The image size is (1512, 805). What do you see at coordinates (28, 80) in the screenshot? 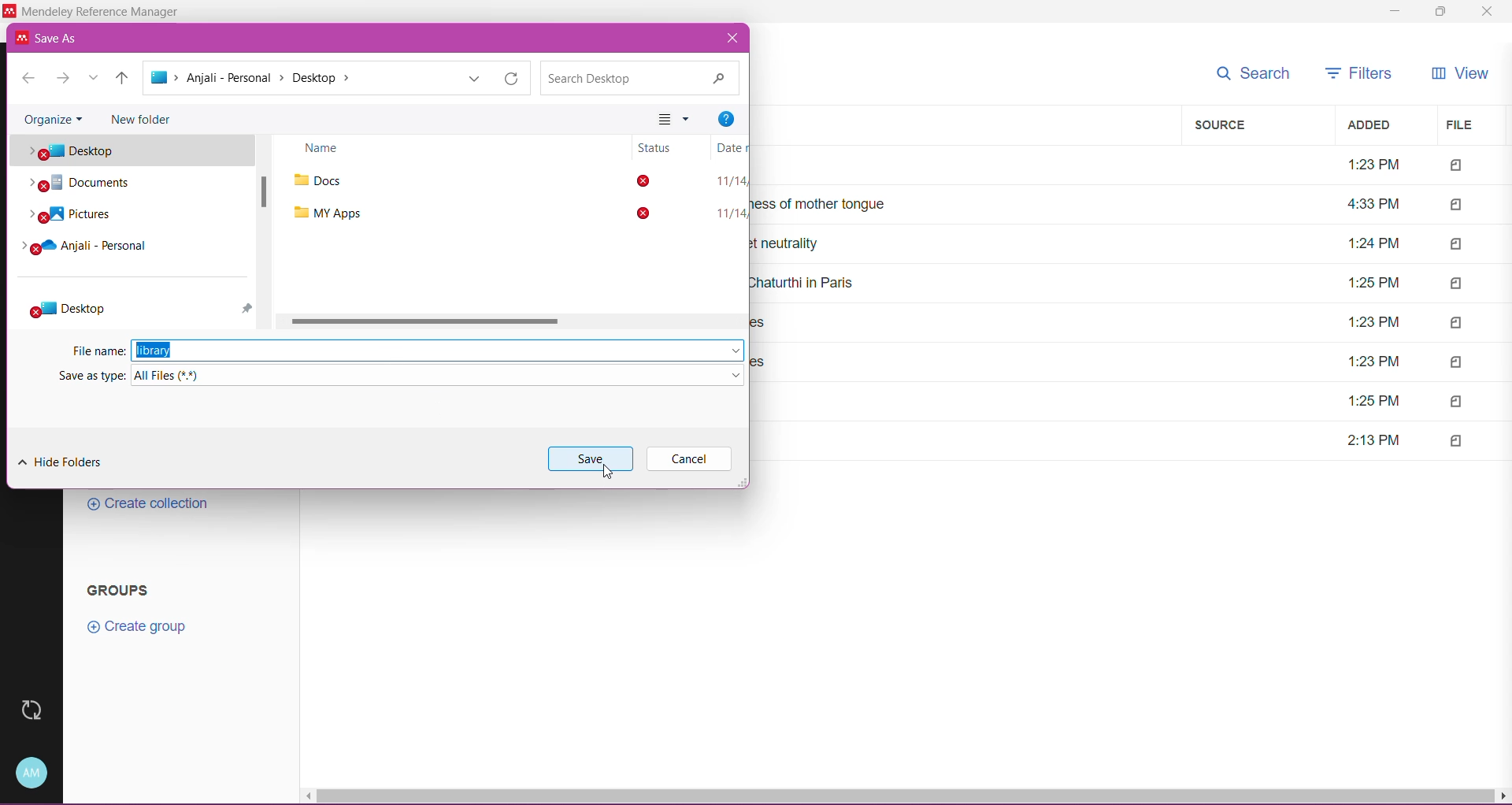
I see `Go to previous page` at bounding box center [28, 80].